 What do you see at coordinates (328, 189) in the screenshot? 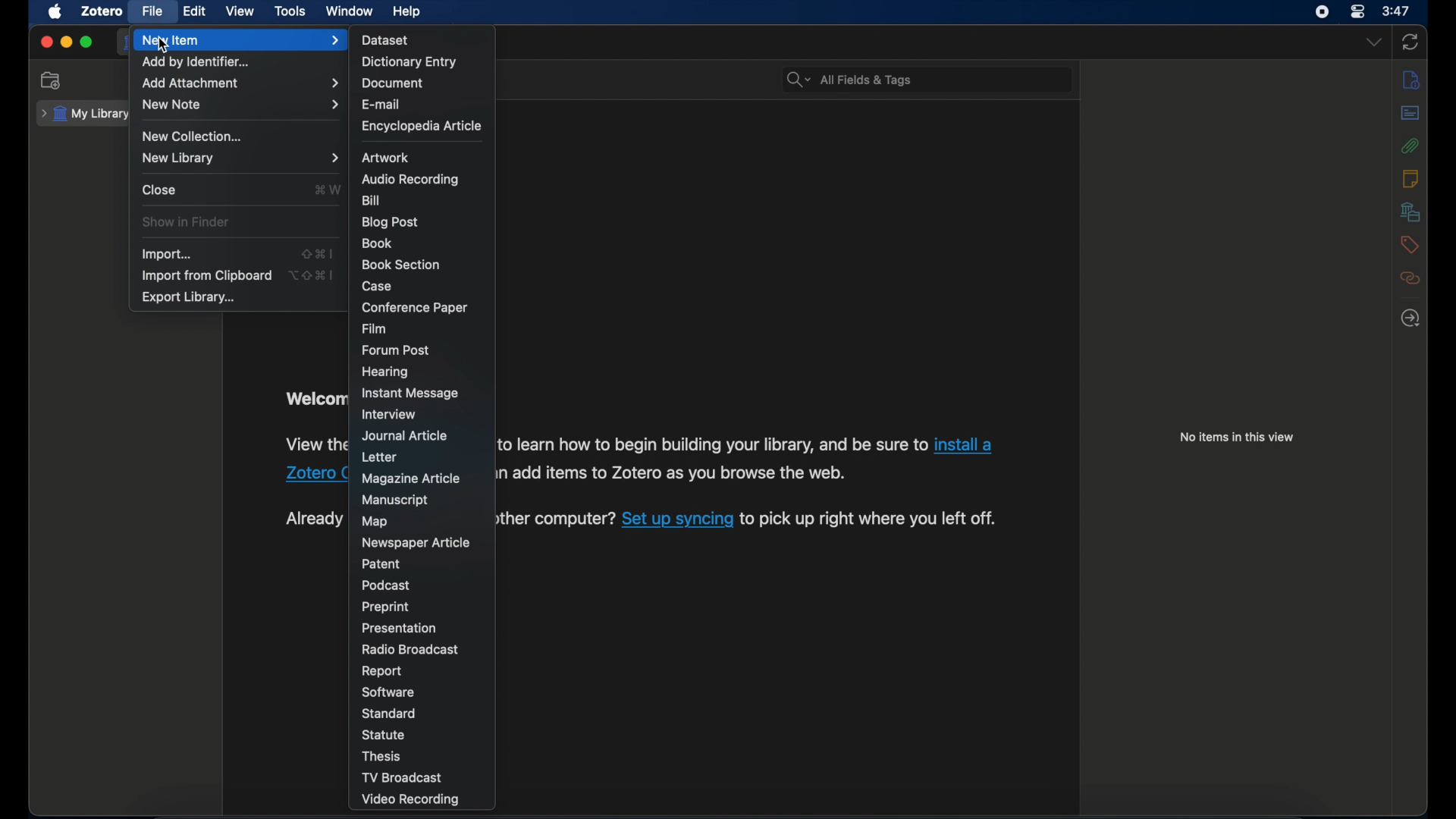
I see `shortcut` at bounding box center [328, 189].